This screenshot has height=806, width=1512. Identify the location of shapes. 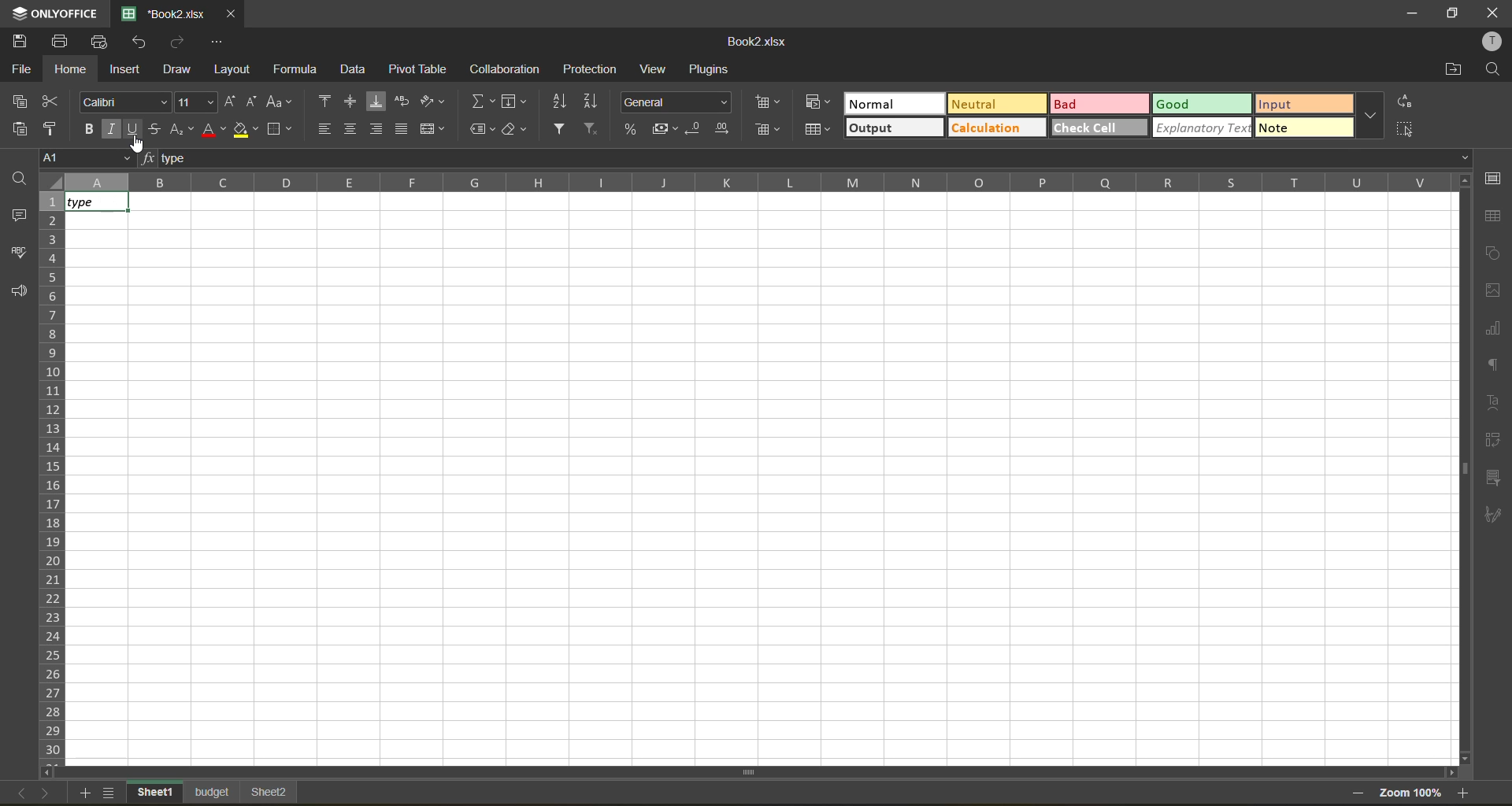
(1493, 255).